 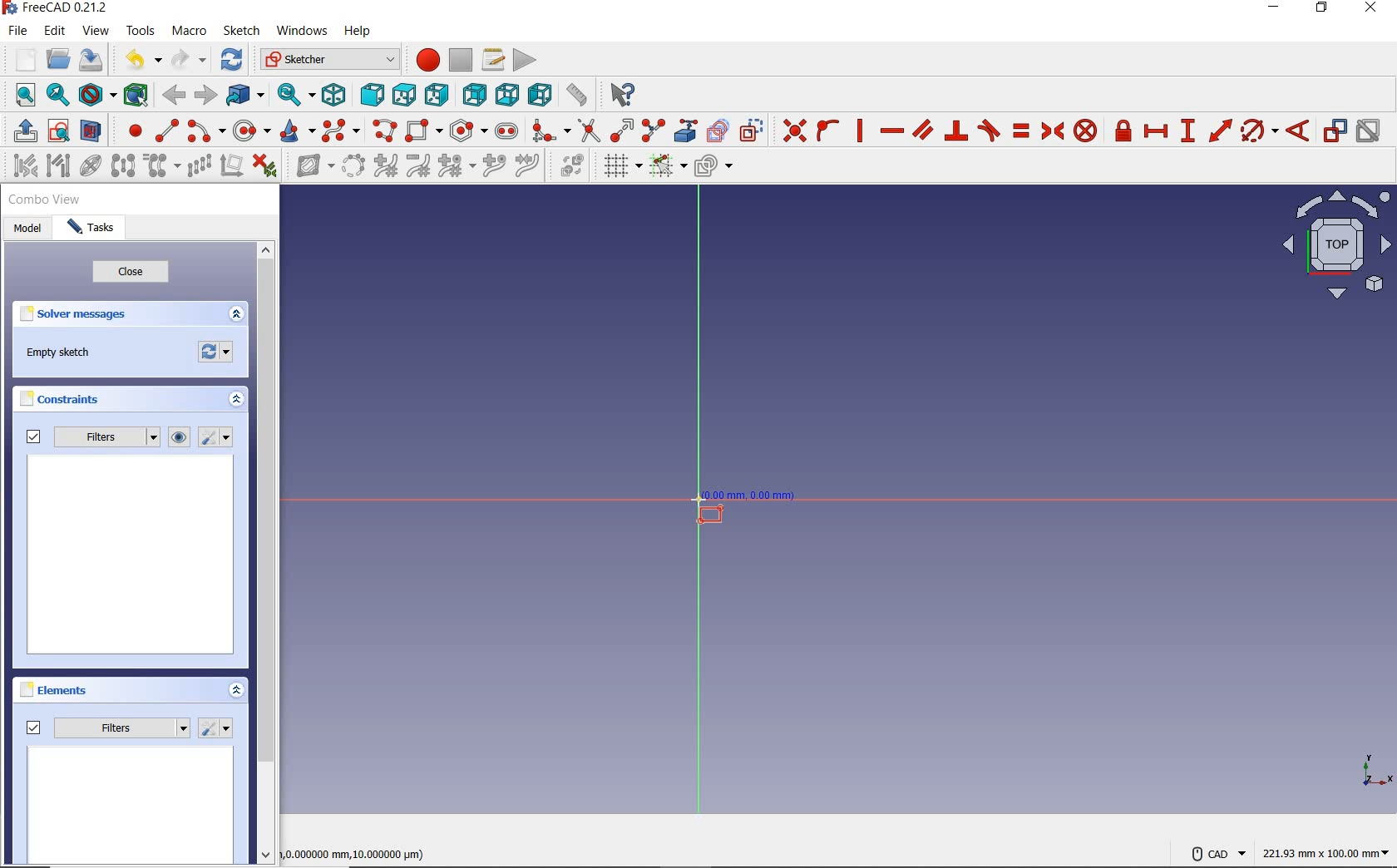 What do you see at coordinates (30, 230) in the screenshot?
I see `model` at bounding box center [30, 230].